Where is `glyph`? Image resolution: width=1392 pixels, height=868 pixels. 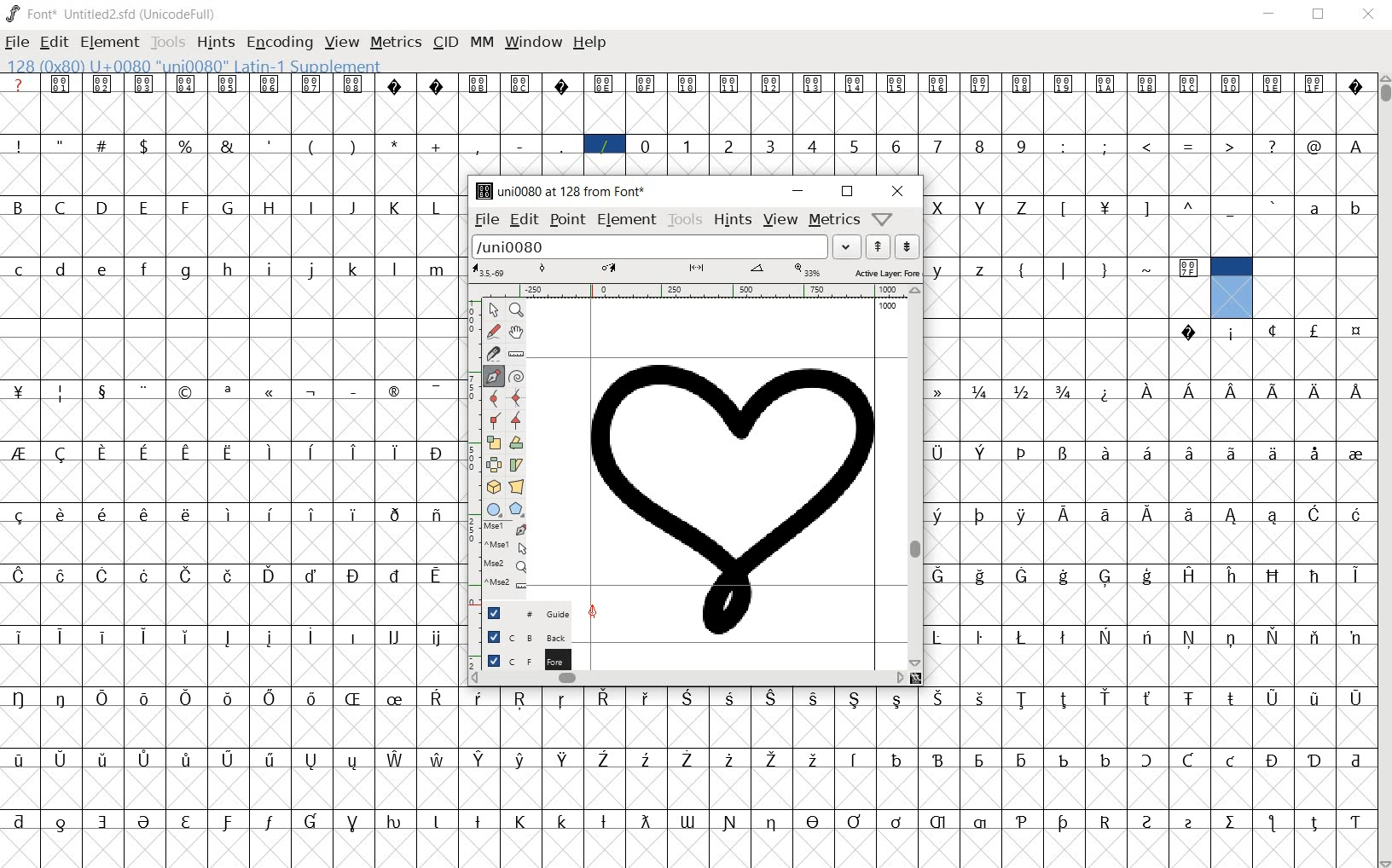 glyph is located at coordinates (227, 823).